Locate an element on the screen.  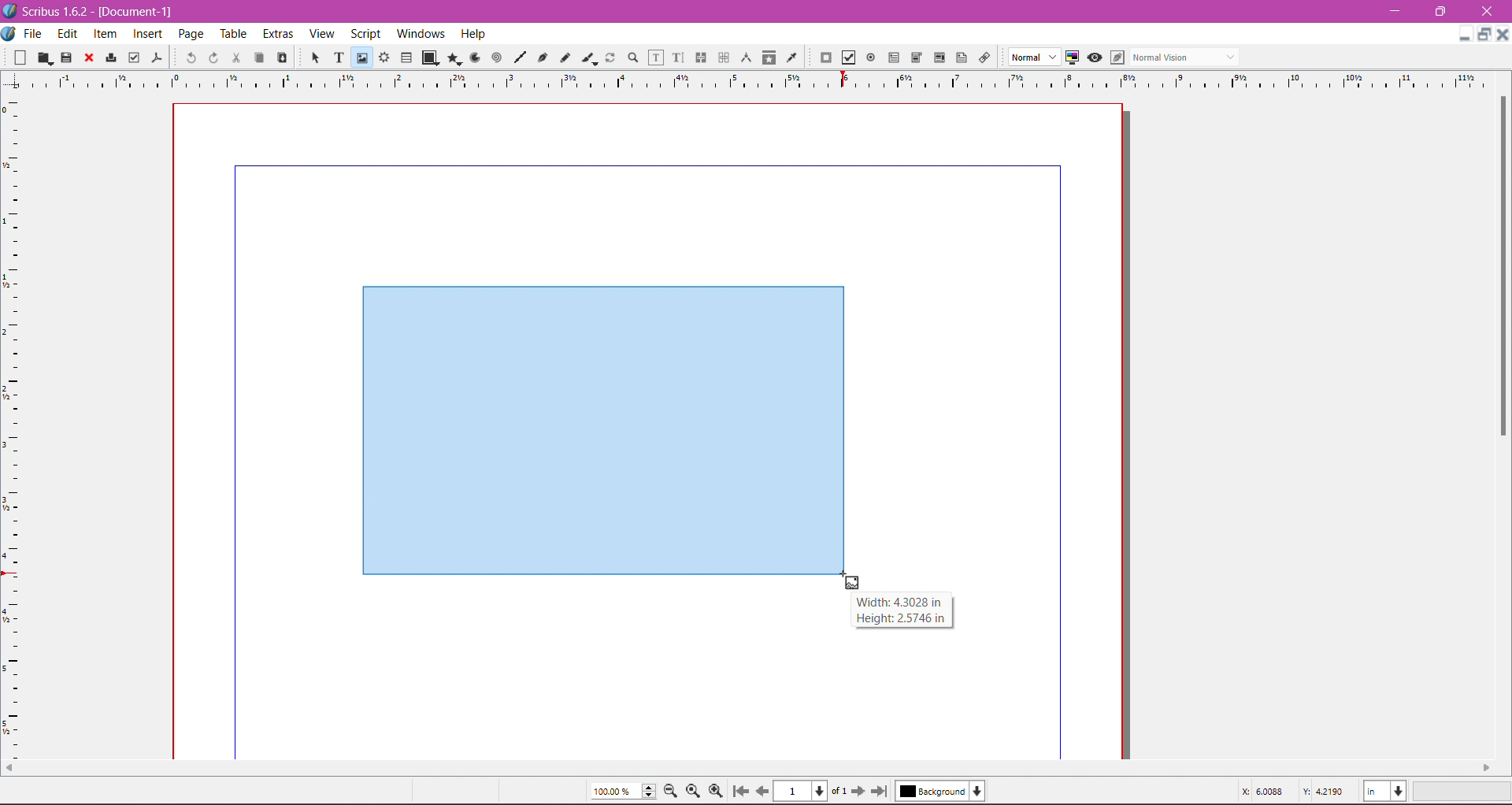
Line is located at coordinates (520, 57).